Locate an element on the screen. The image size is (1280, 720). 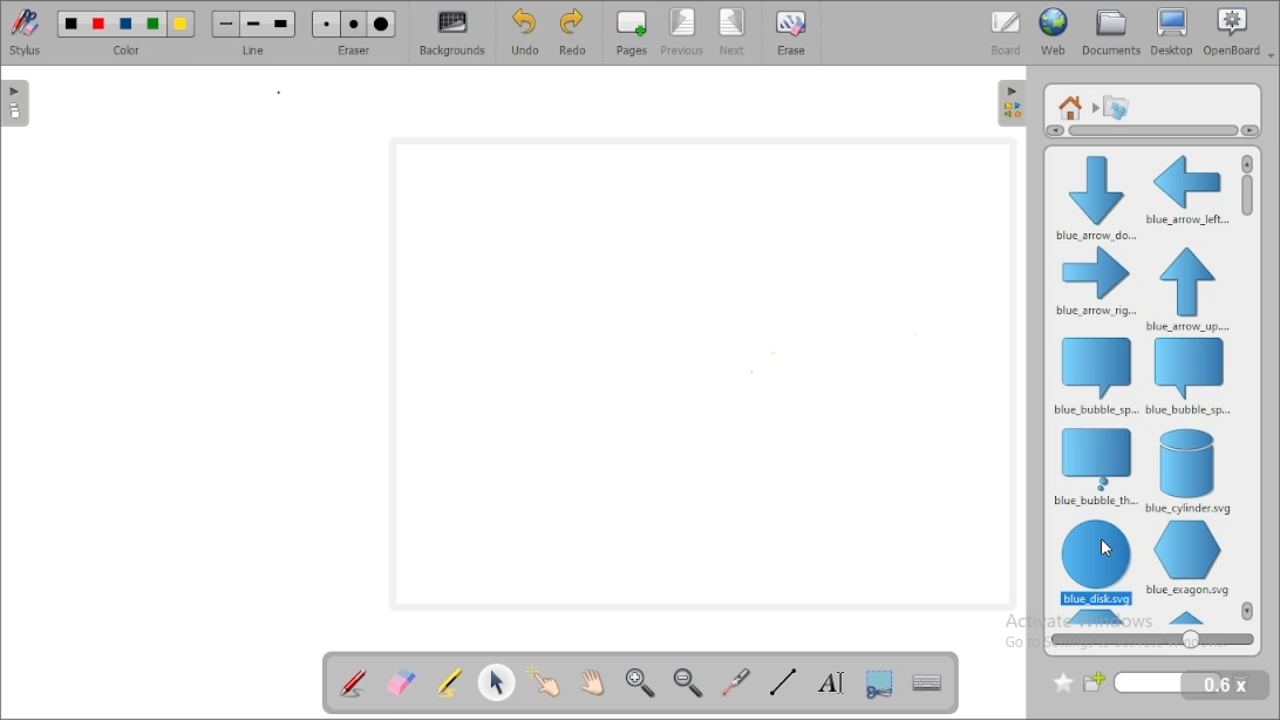
vertical scroll bar is located at coordinates (1248, 208).